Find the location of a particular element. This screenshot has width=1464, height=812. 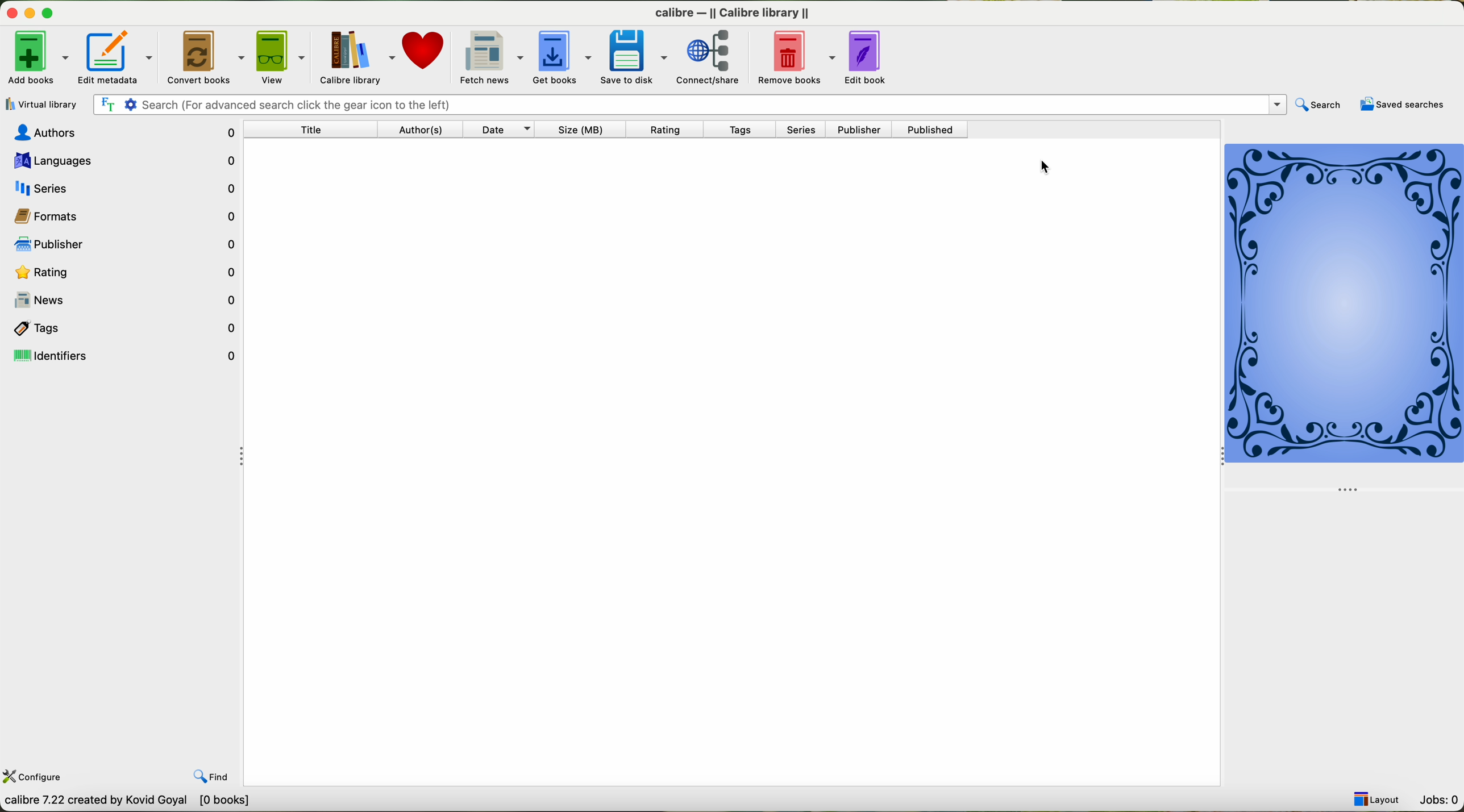

news is located at coordinates (124, 301).